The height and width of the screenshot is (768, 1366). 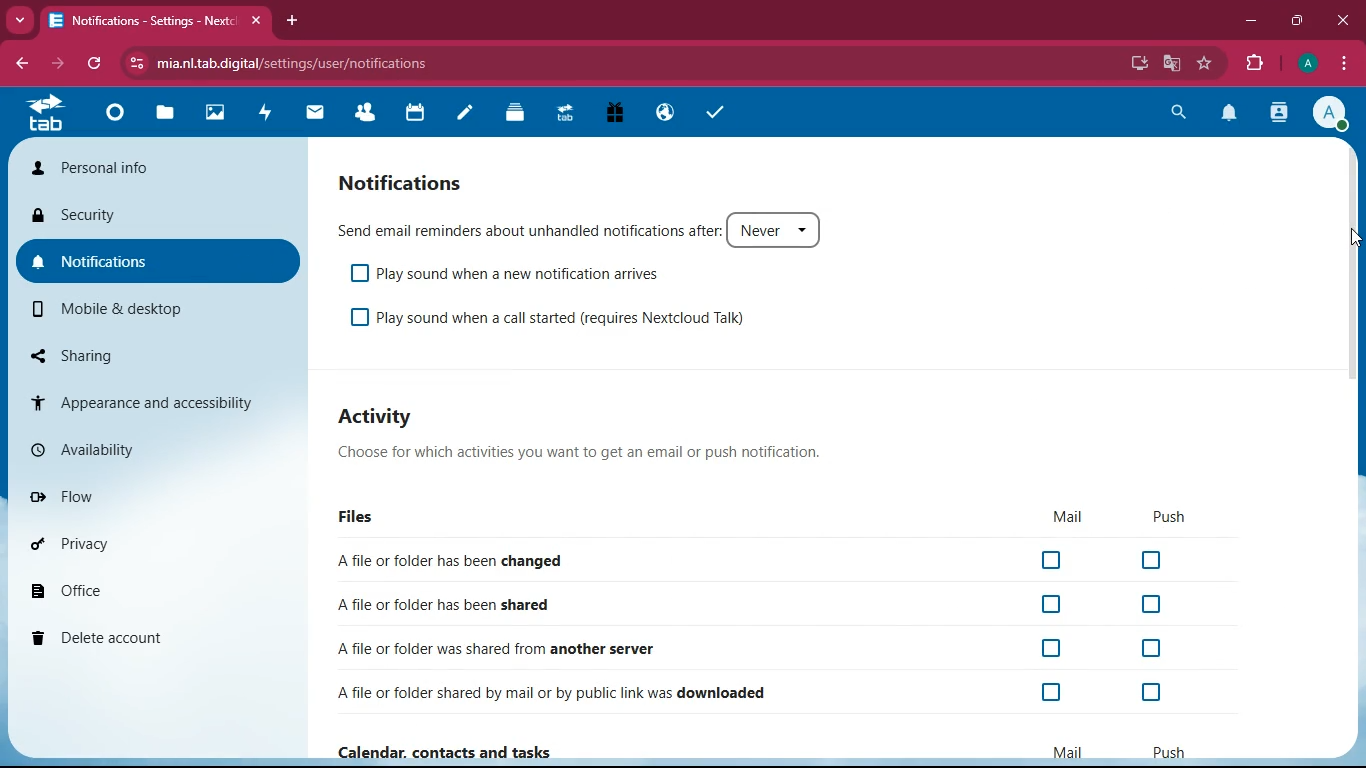 What do you see at coordinates (1308, 64) in the screenshot?
I see `profile` at bounding box center [1308, 64].